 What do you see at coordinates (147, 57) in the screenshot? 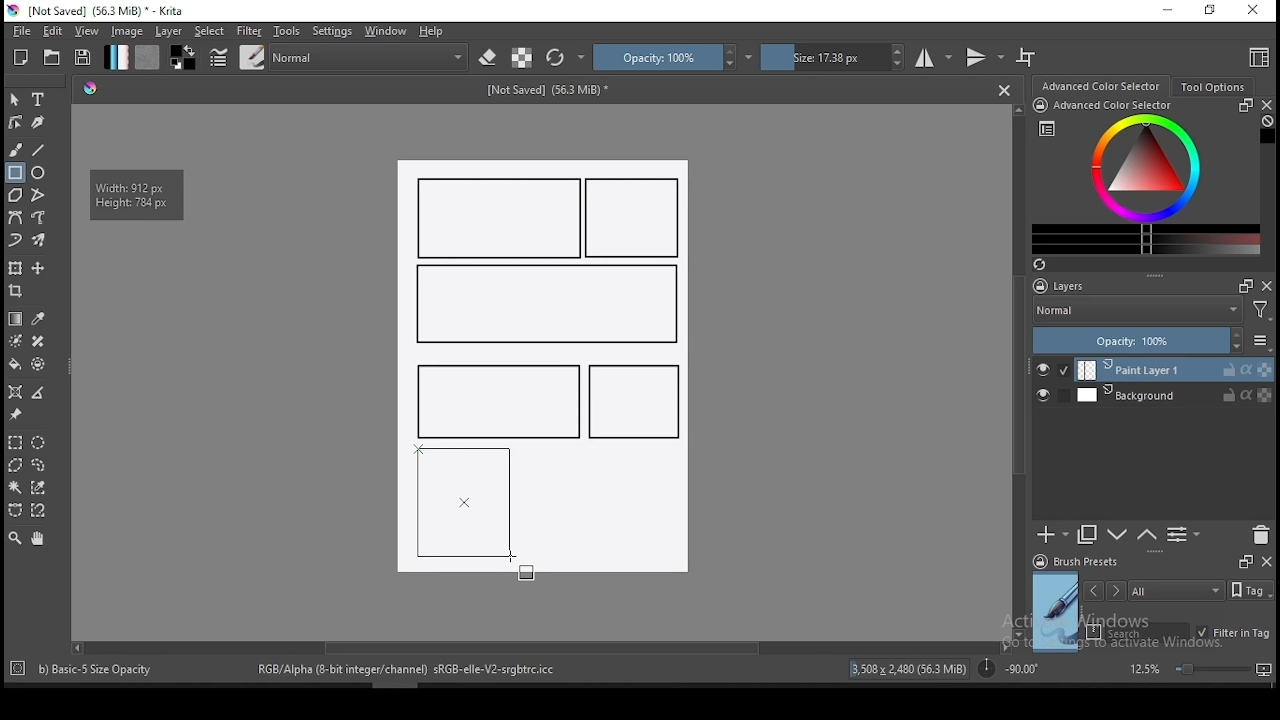
I see `pattern` at bounding box center [147, 57].